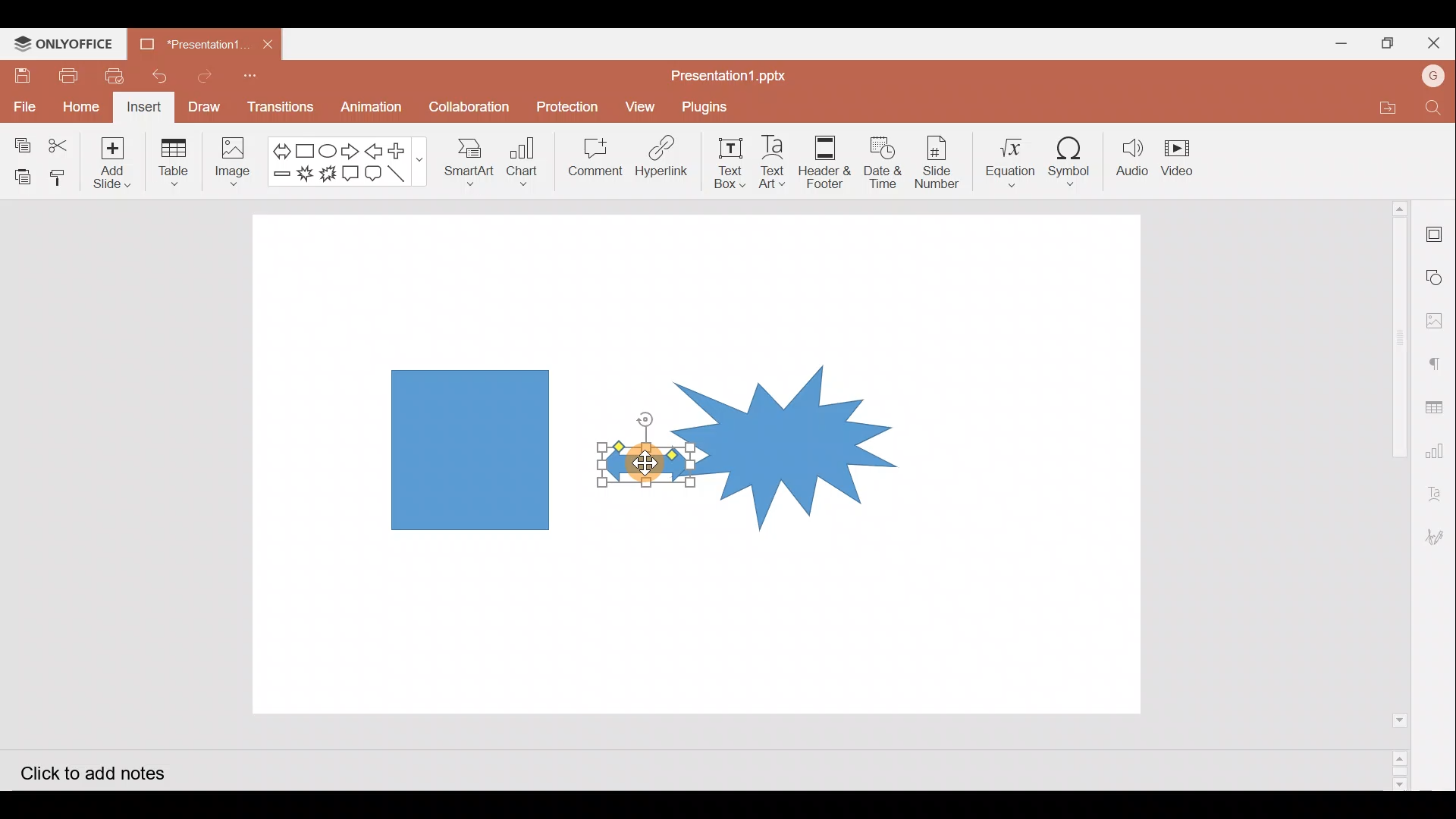 Image resolution: width=1456 pixels, height=819 pixels. What do you see at coordinates (403, 149) in the screenshot?
I see `Plus` at bounding box center [403, 149].